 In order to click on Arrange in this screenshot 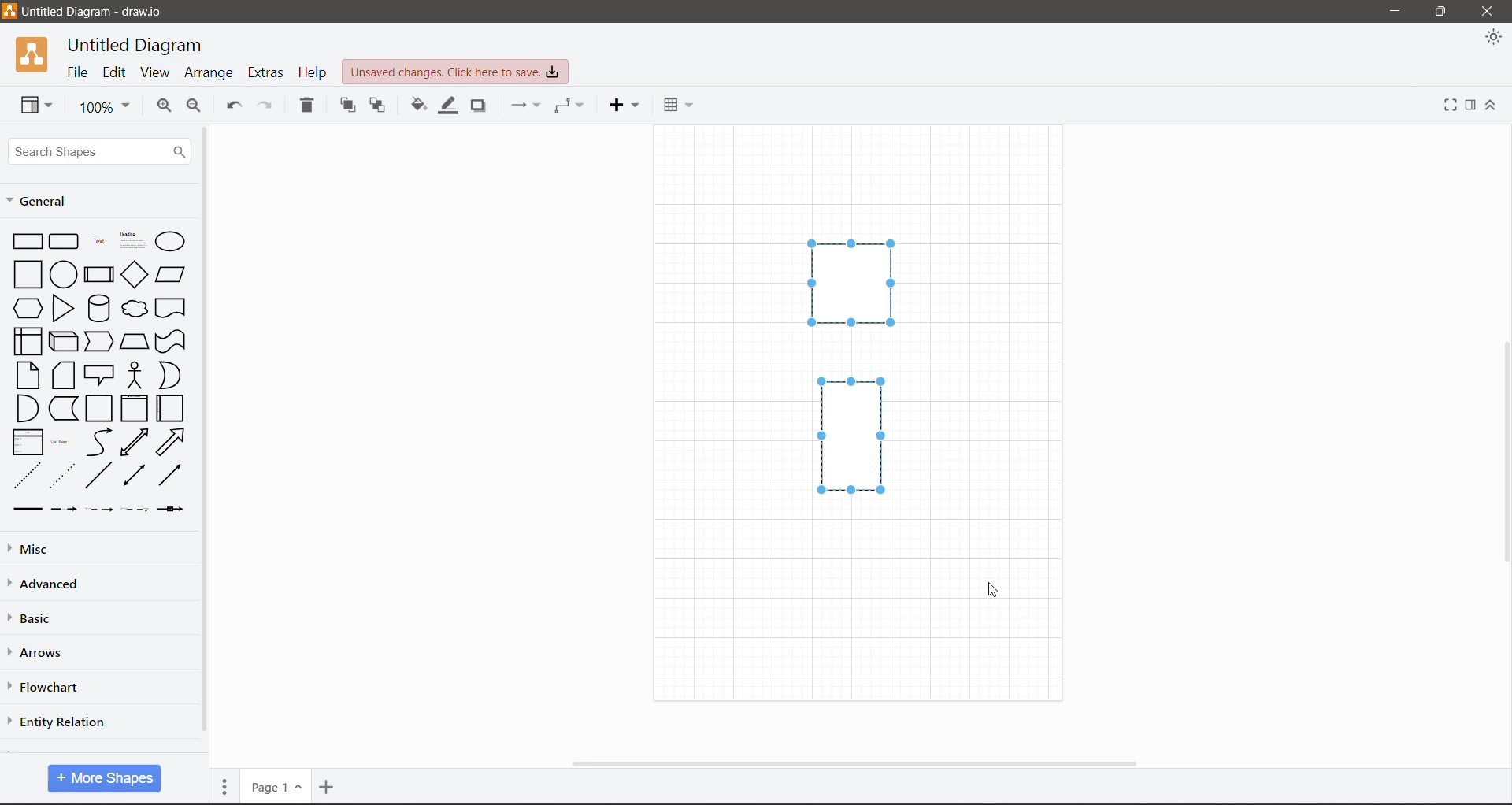, I will do `click(210, 72)`.